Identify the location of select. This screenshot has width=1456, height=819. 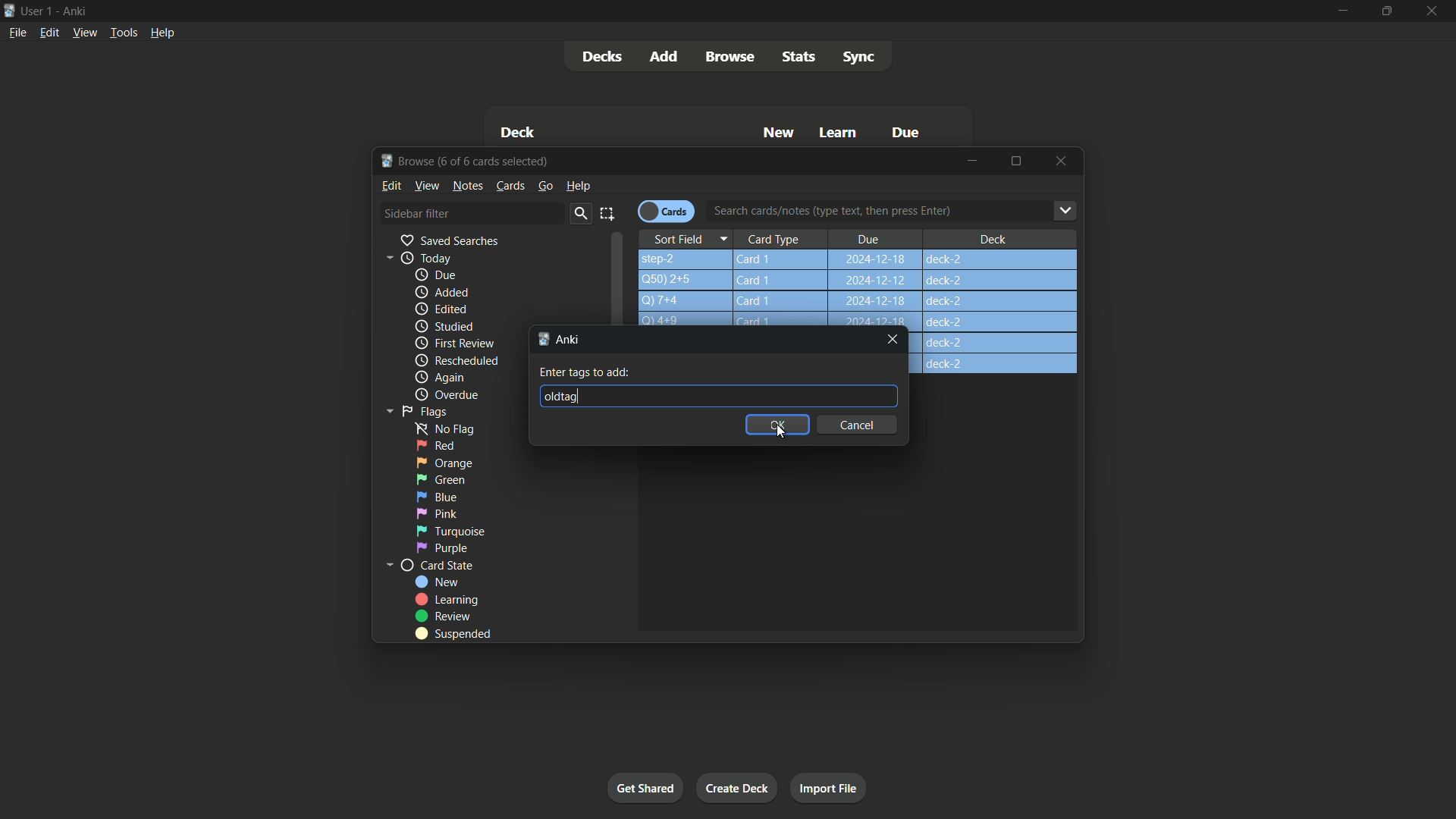
(608, 213).